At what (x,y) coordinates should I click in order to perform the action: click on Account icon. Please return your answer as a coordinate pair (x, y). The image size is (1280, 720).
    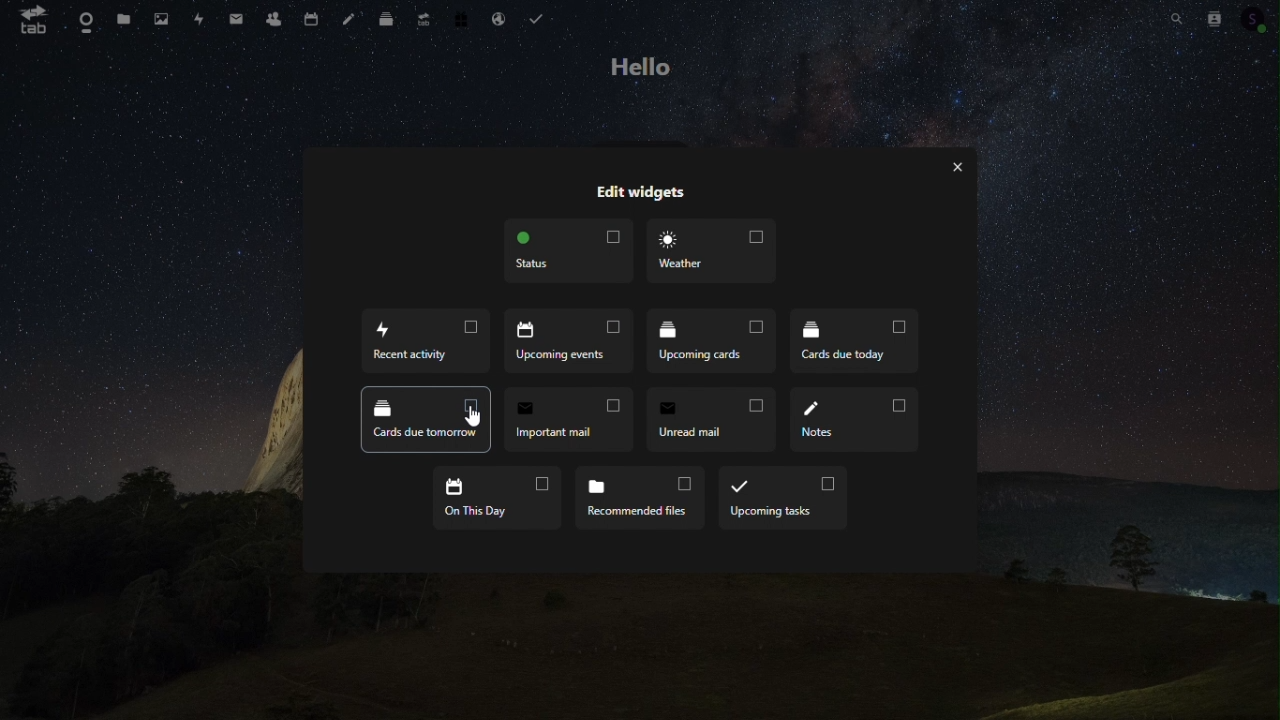
    Looking at the image, I should click on (1256, 19).